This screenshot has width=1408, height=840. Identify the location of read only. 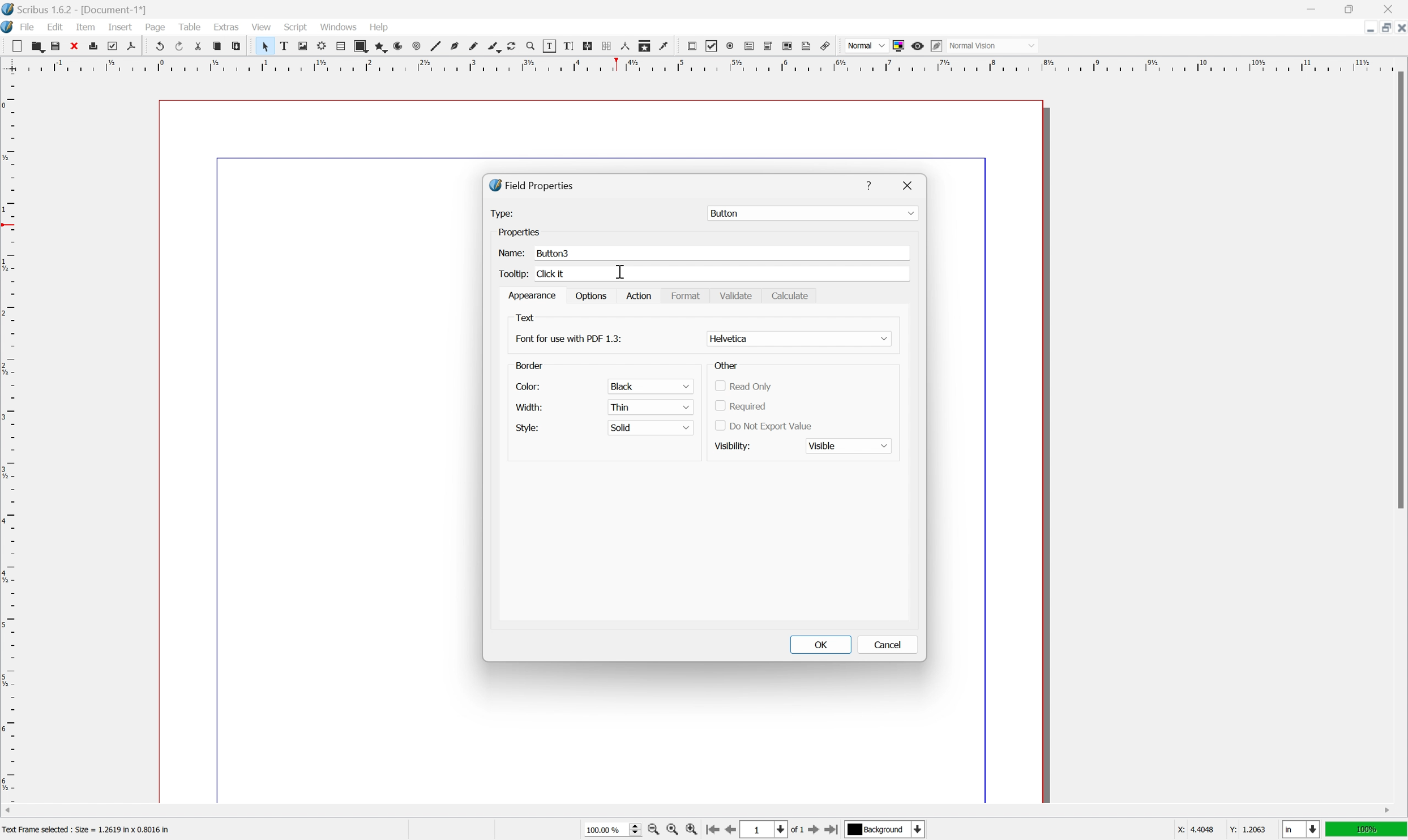
(744, 386).